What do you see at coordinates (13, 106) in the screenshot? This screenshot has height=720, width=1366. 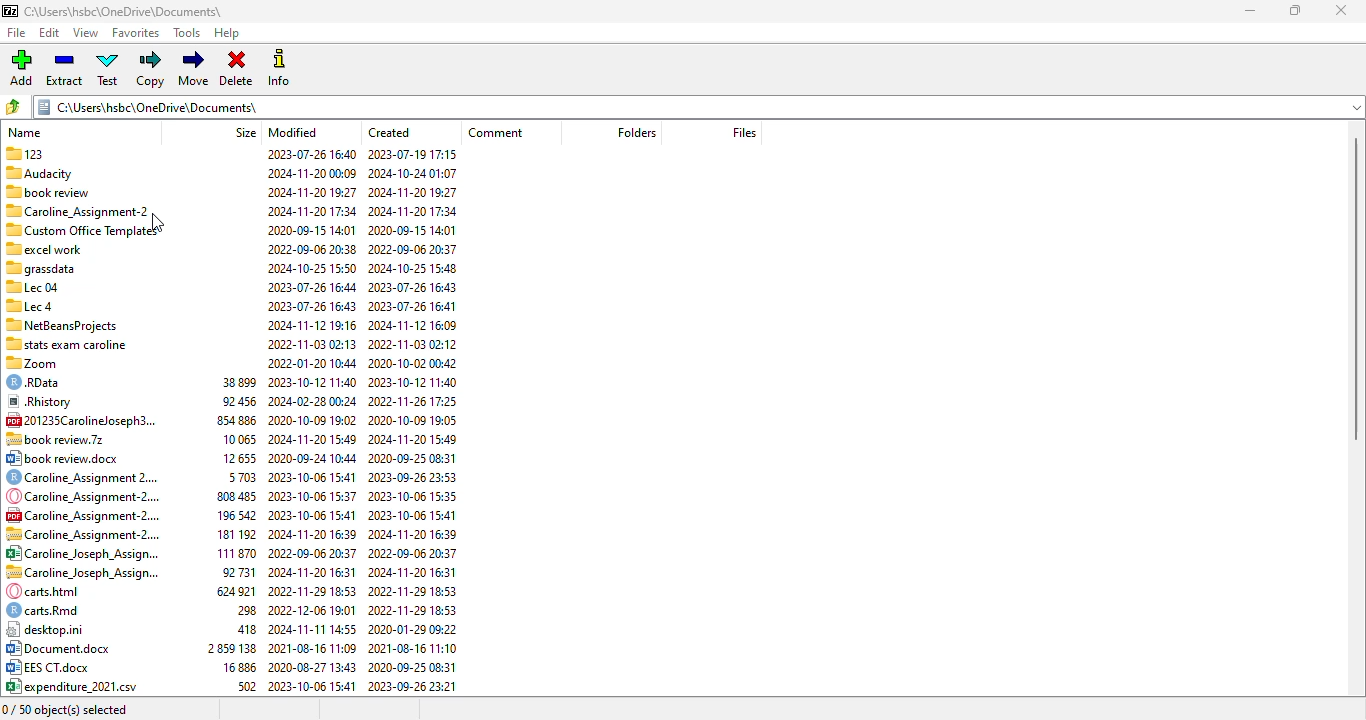 I see `browse folders` at bounding box center [13, 106].